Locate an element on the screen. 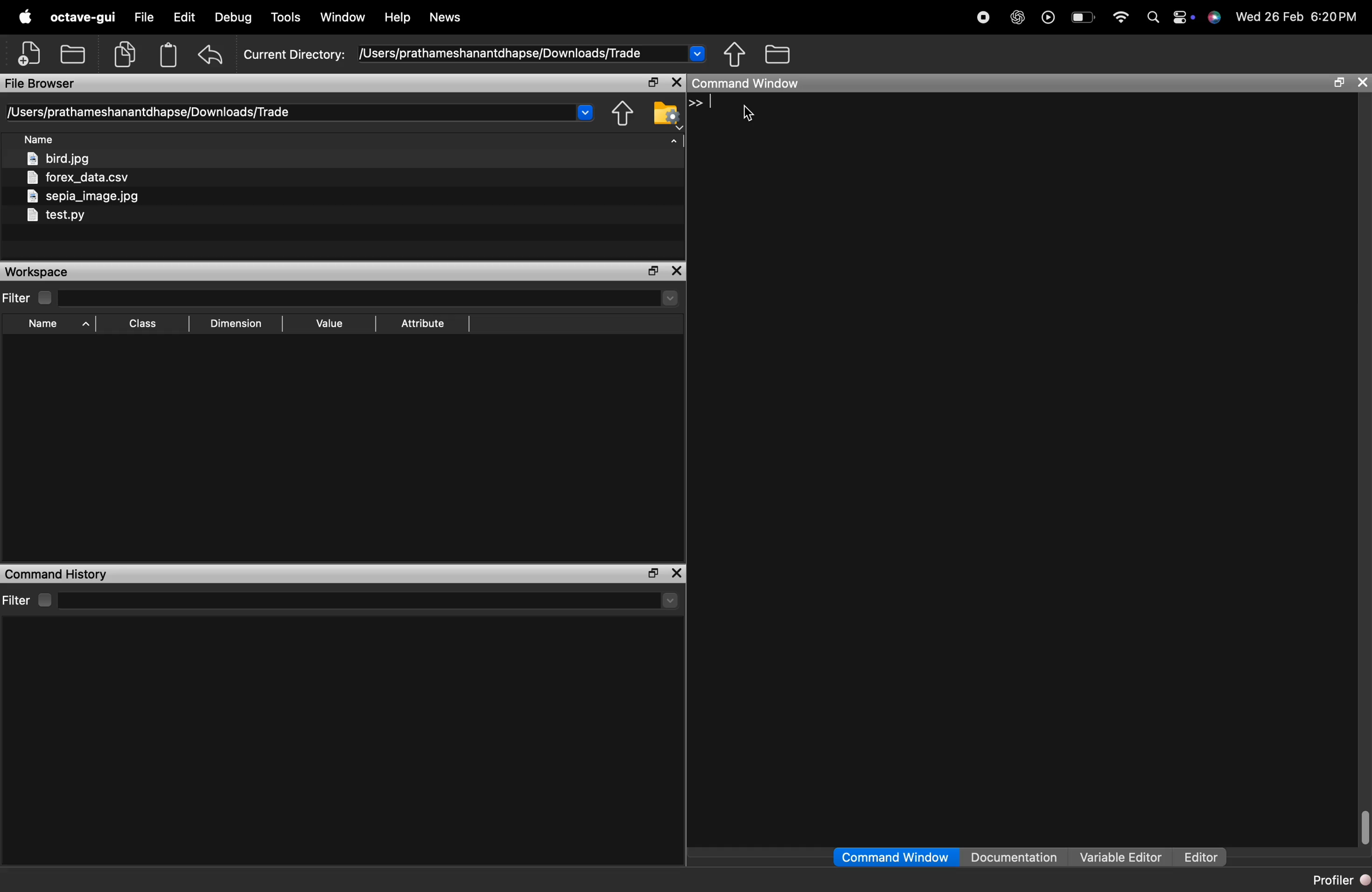 This screenshot has height=892, width=1372. clipboard is located at coordinates (169, 55).